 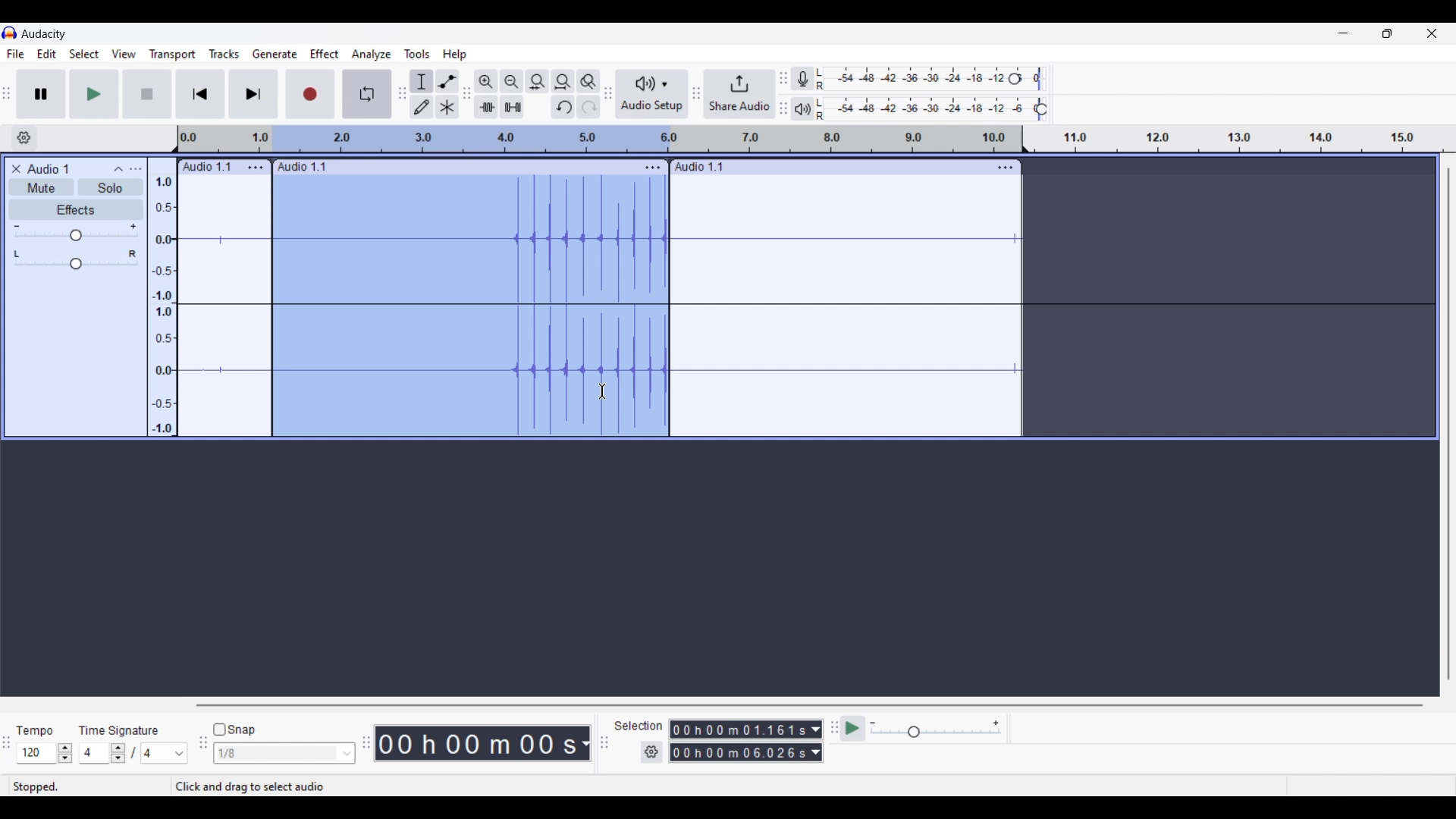 I want to click on time signature, so click(x=118, y=733).